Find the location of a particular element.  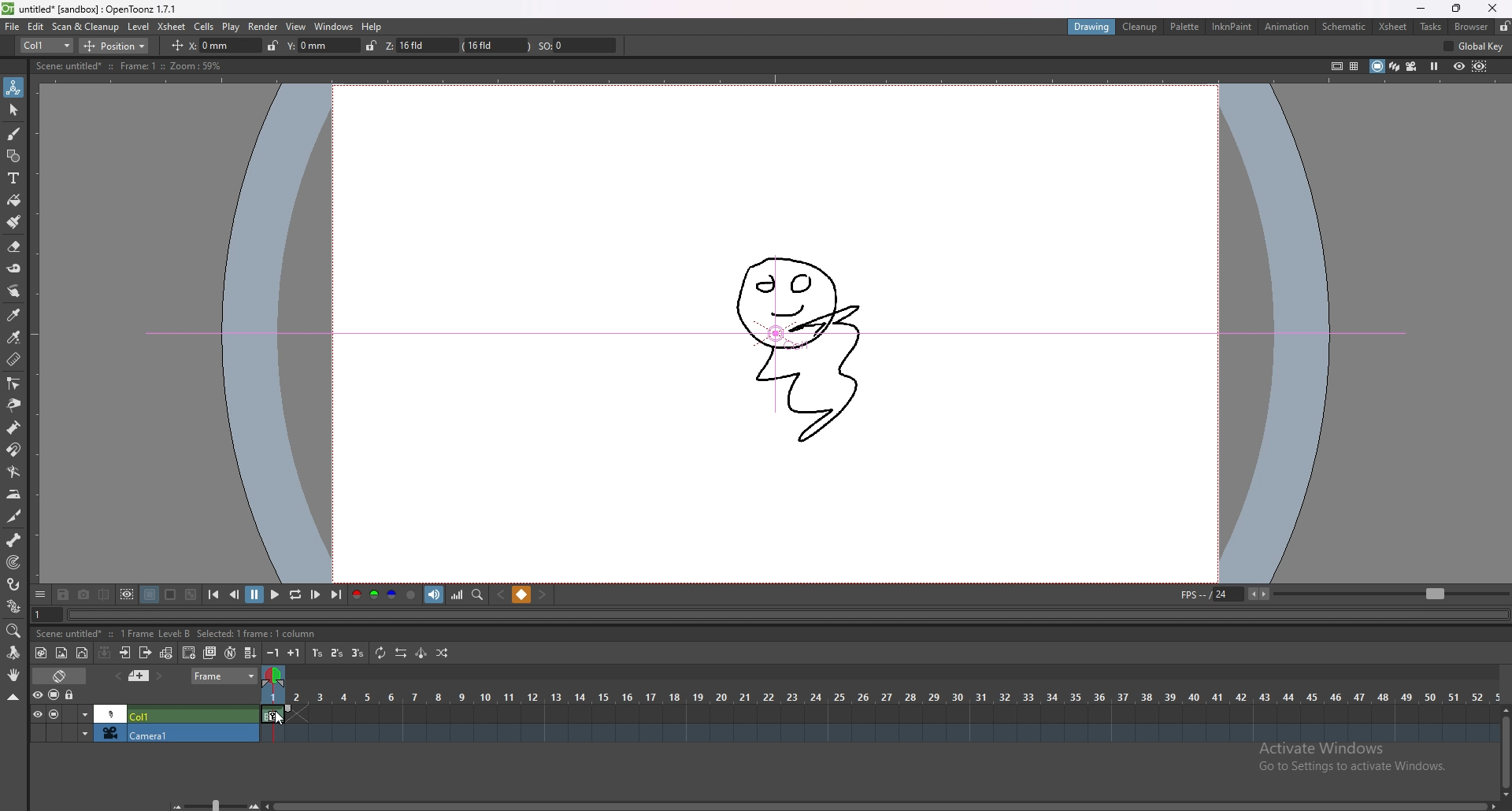

black background is located at coordinates (150, 594).